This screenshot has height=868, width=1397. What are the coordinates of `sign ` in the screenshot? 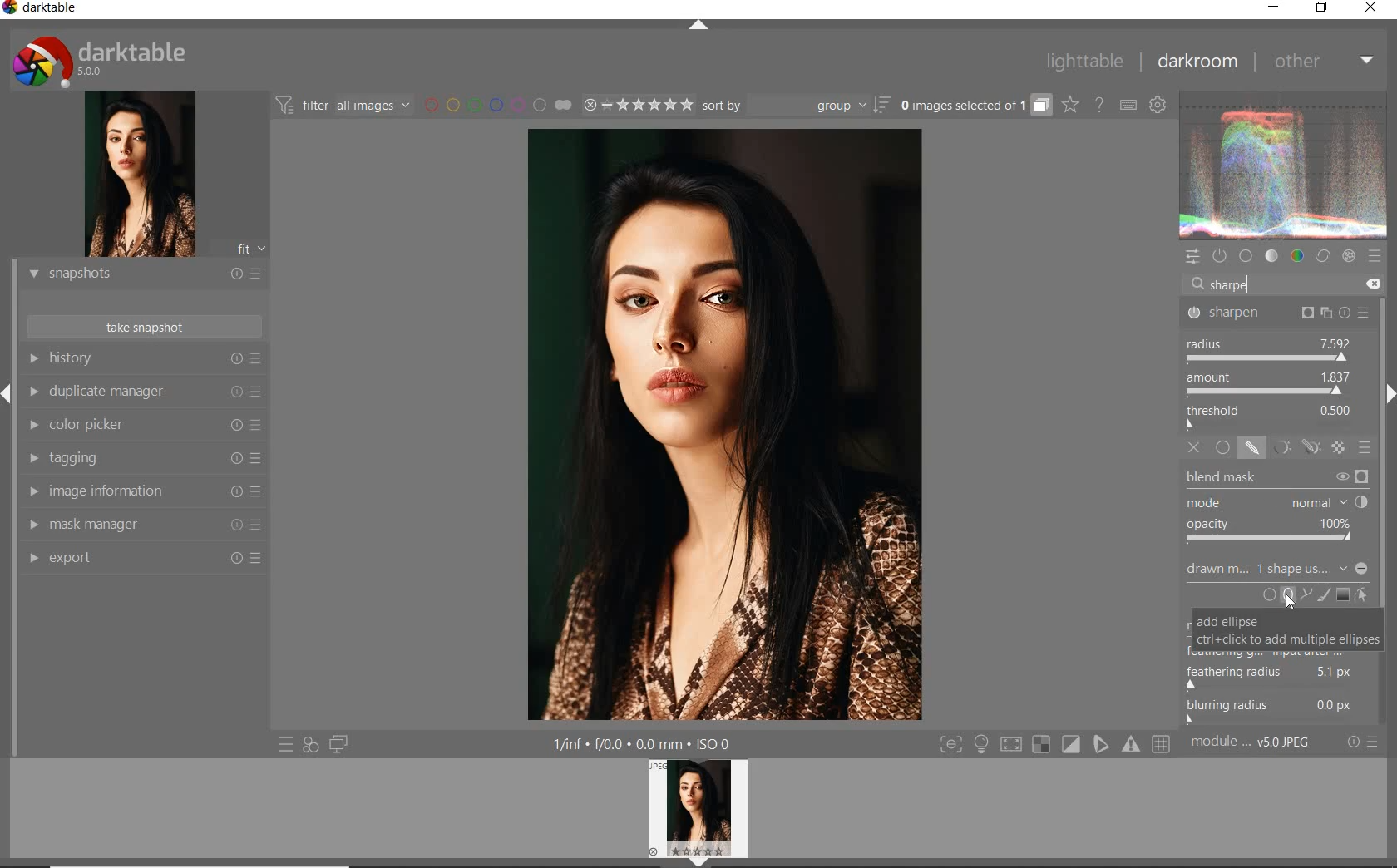 It's located at (1042, 746).